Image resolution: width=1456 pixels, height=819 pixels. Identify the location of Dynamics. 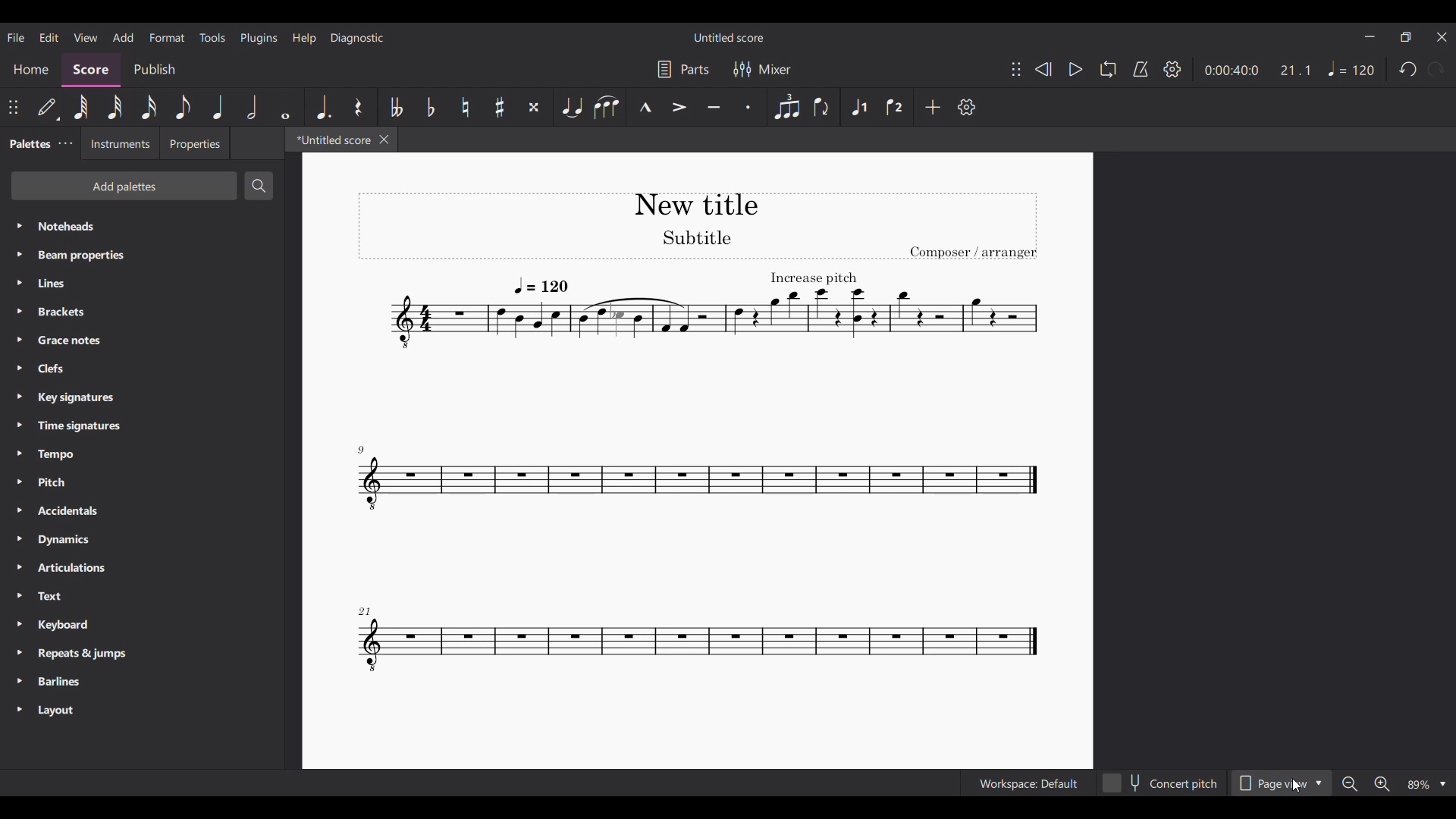
(141, 540).